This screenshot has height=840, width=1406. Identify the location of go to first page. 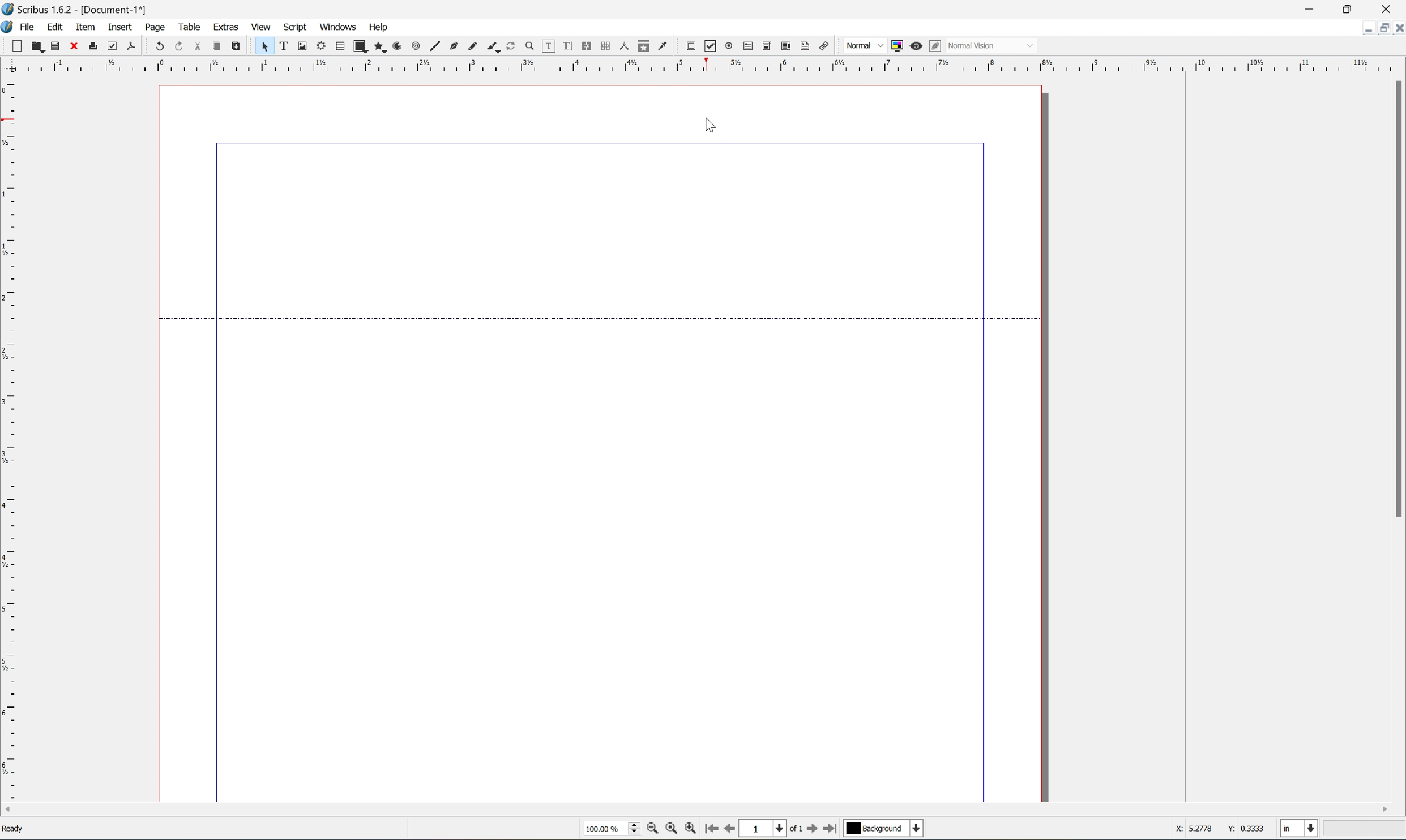
(713, 830).